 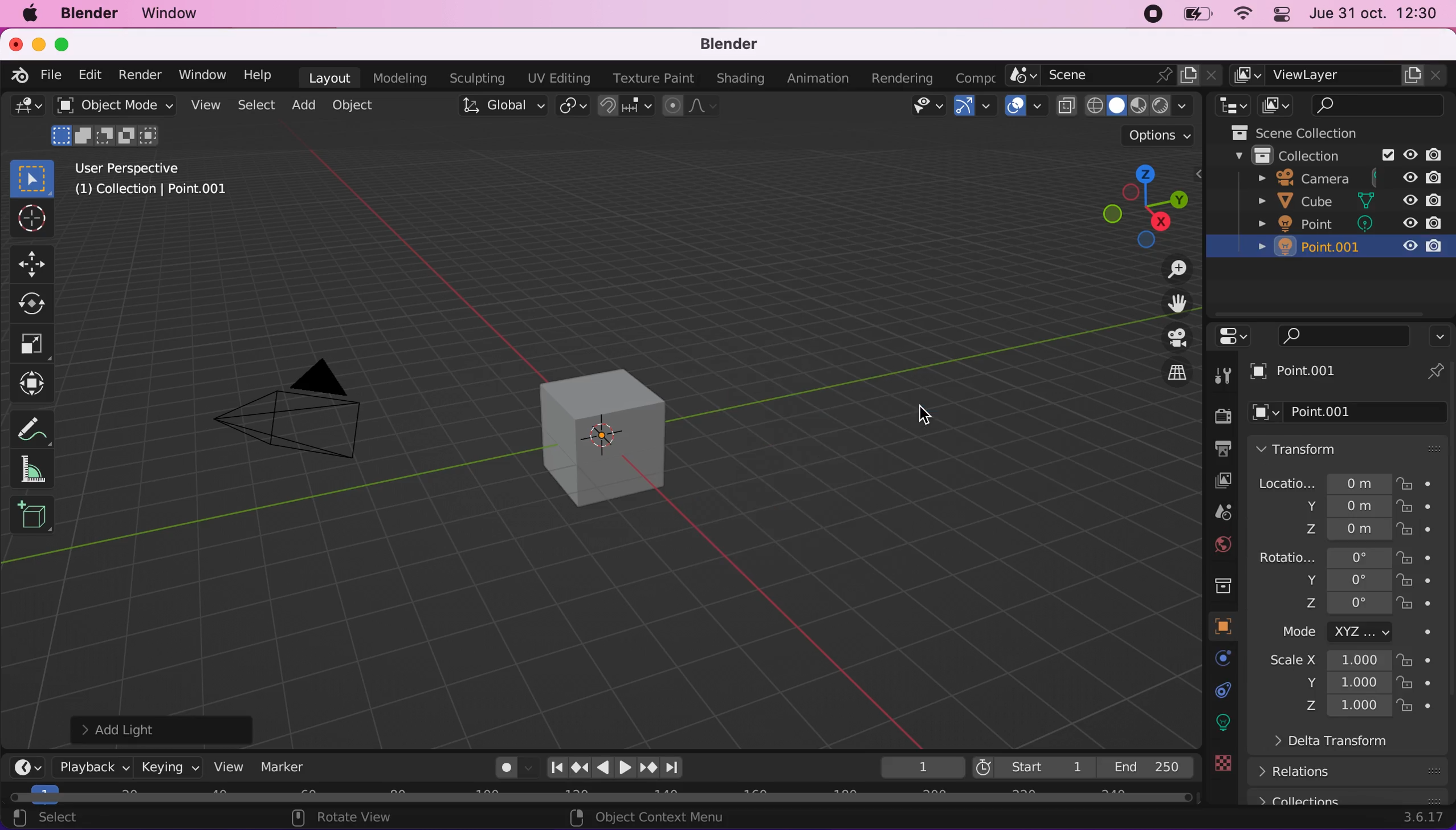 I want to click on toggle x ray, so click(x=1067, y=108).